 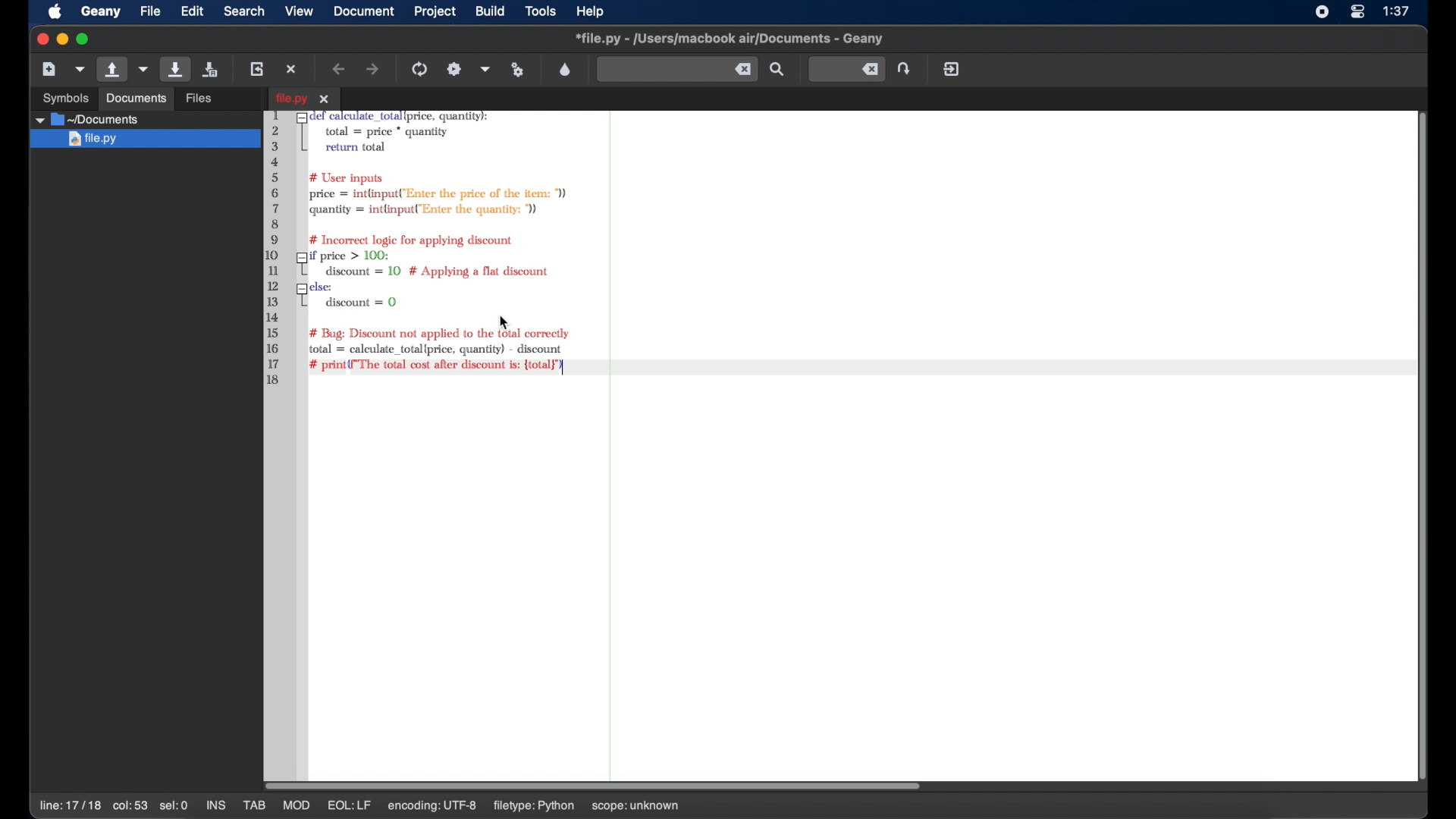 What do you see at coordinates (532, 807) in the screenshot?
I see `filetype: python` at bounding box center [532, 807].